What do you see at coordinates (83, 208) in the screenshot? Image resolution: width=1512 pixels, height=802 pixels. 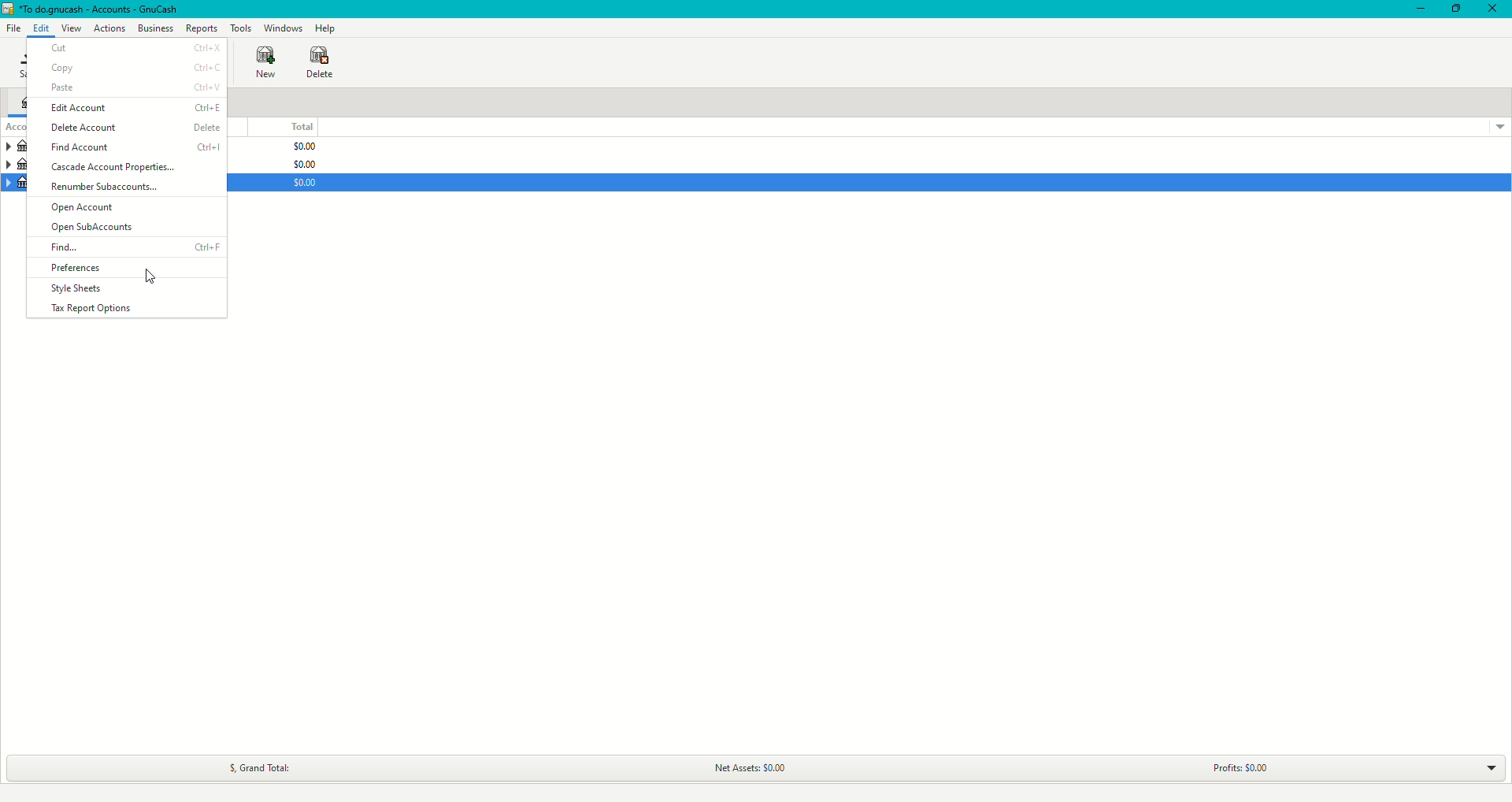 I see `Open Account` at bounding box center [83, 208].